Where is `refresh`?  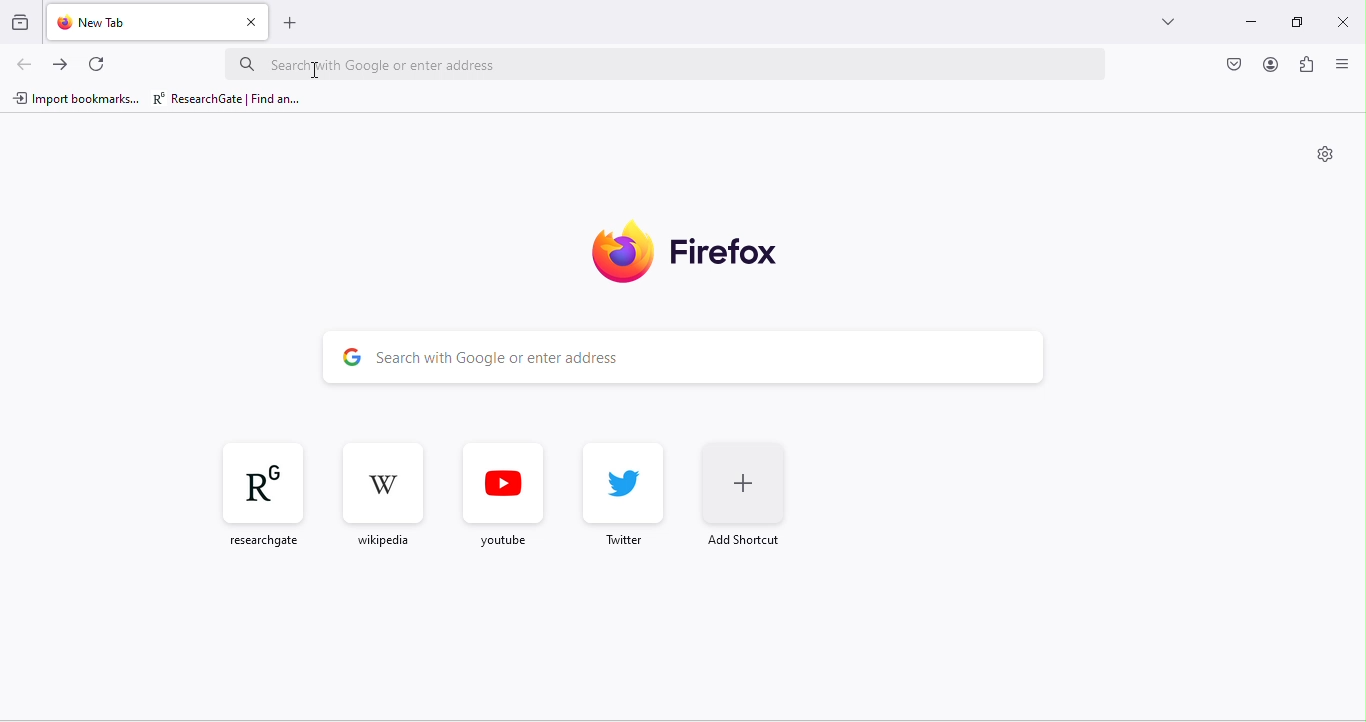 refresh is located at coordinates (96, 62).